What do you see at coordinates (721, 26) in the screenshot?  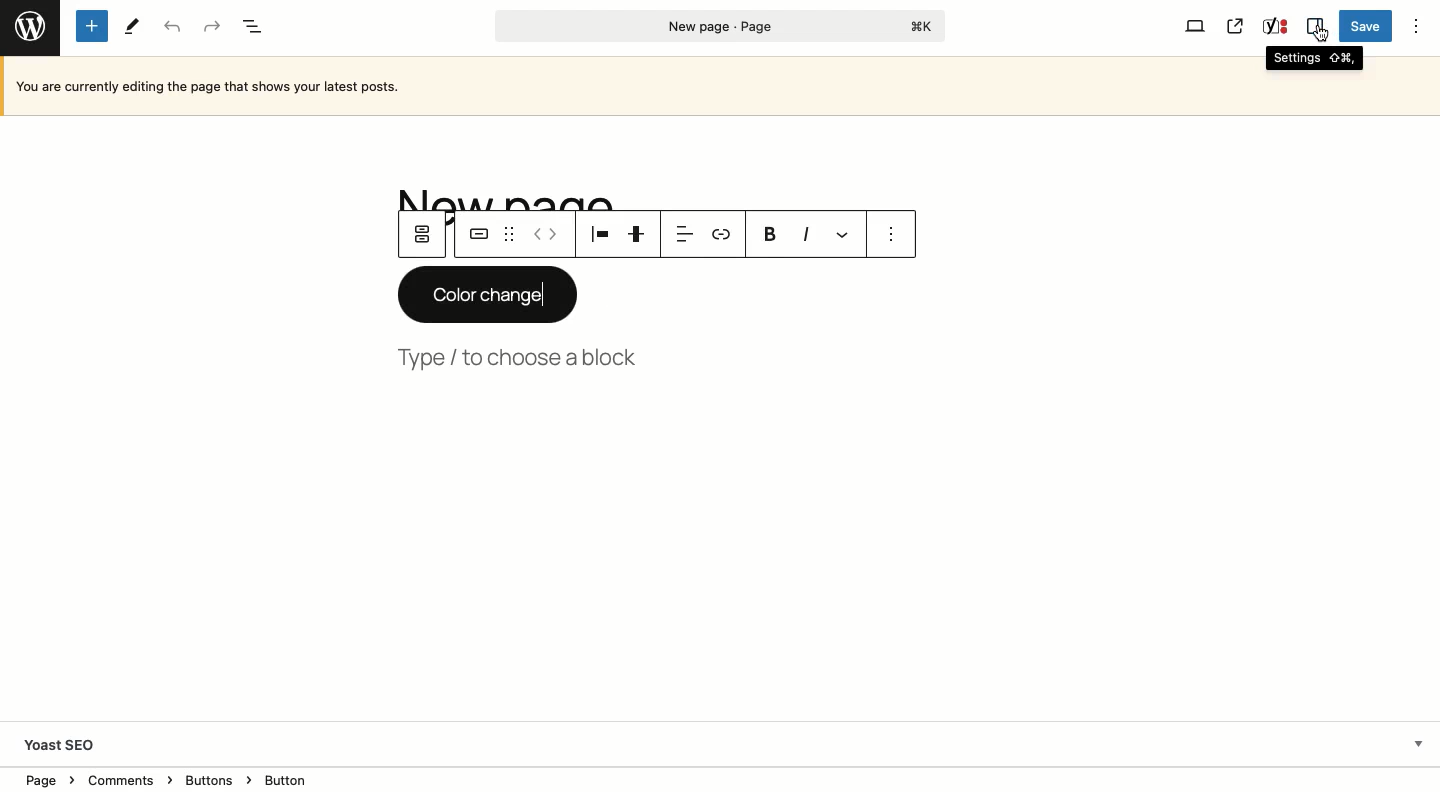 I see `Page` at bounding box center [721, 26].